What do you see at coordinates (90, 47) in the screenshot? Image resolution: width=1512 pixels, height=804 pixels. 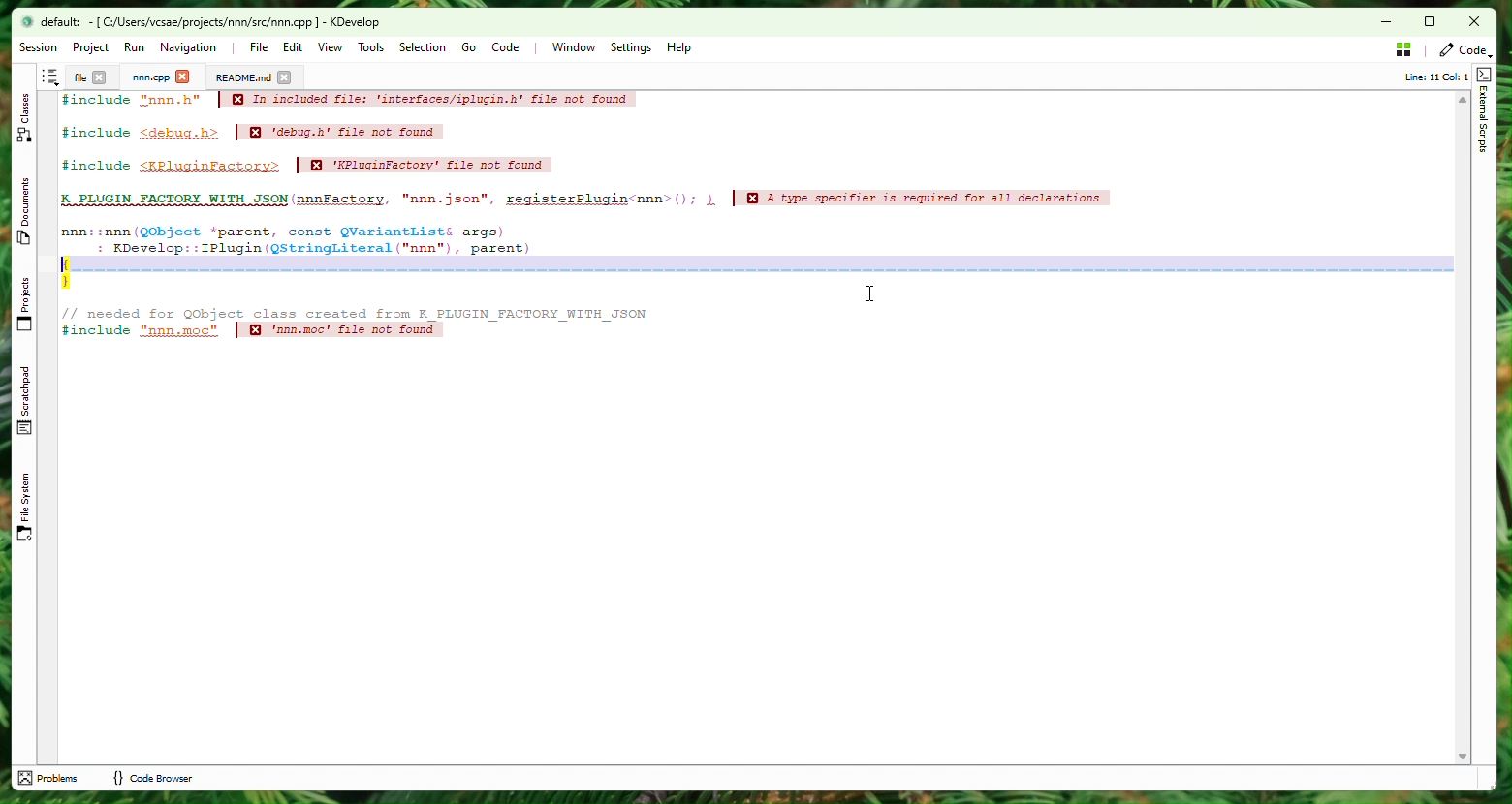 I see `Project` at bounding box center [90, 47].